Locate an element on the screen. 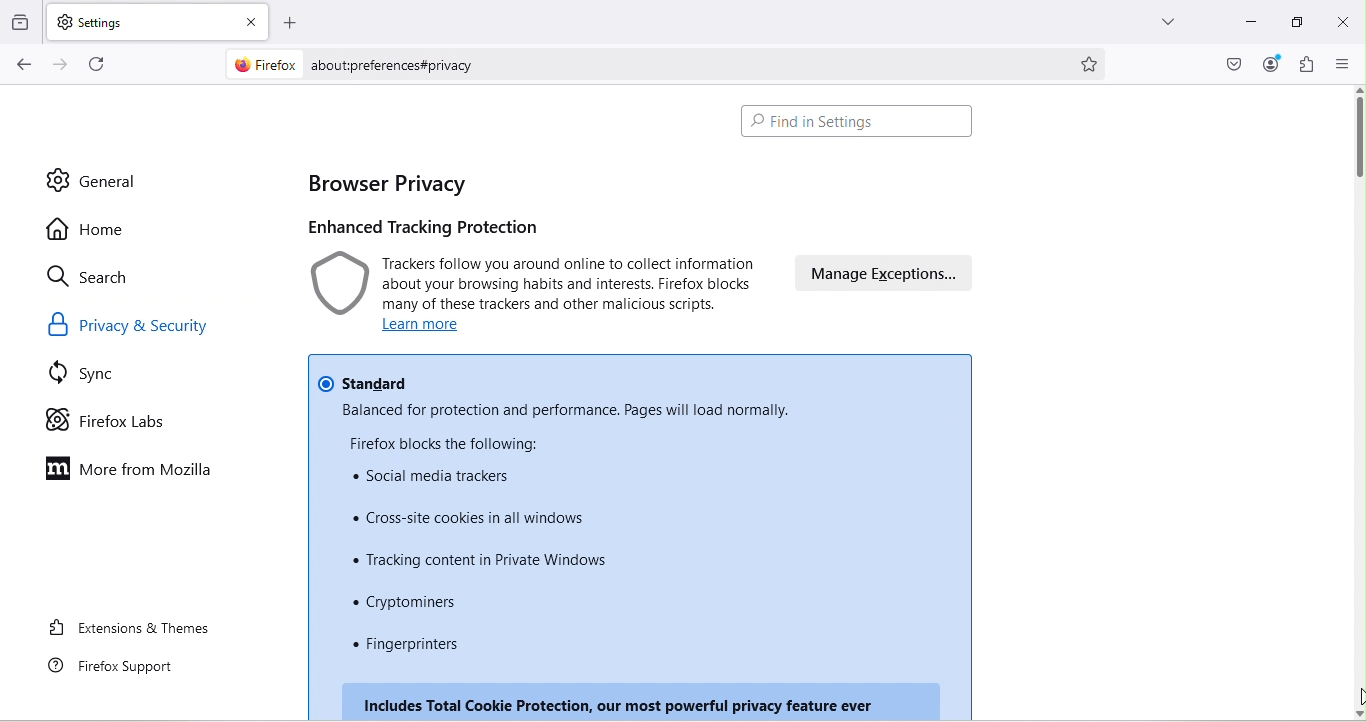 Image resolution: width=1366 pixels, height=722 pixels. close tab is located at coordinates (248, 18).